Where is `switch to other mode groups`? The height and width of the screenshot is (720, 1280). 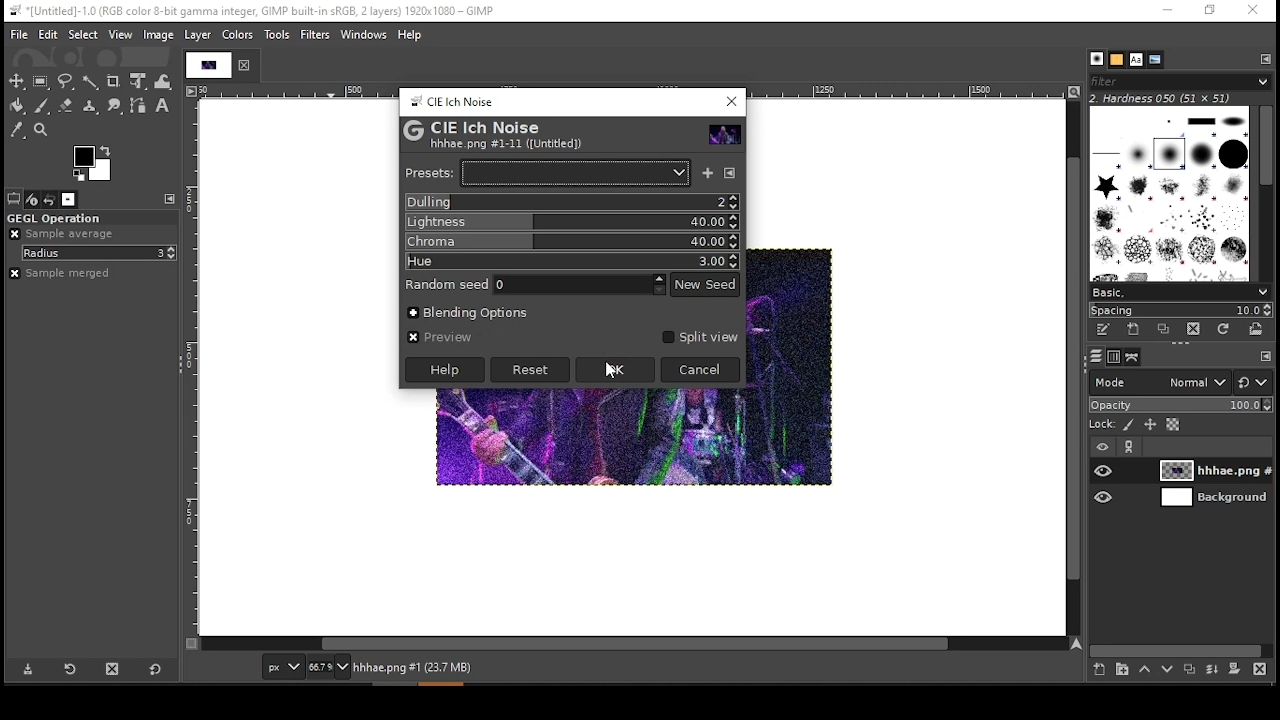
switch to other mode groups is located at coordinates (1254, 381).